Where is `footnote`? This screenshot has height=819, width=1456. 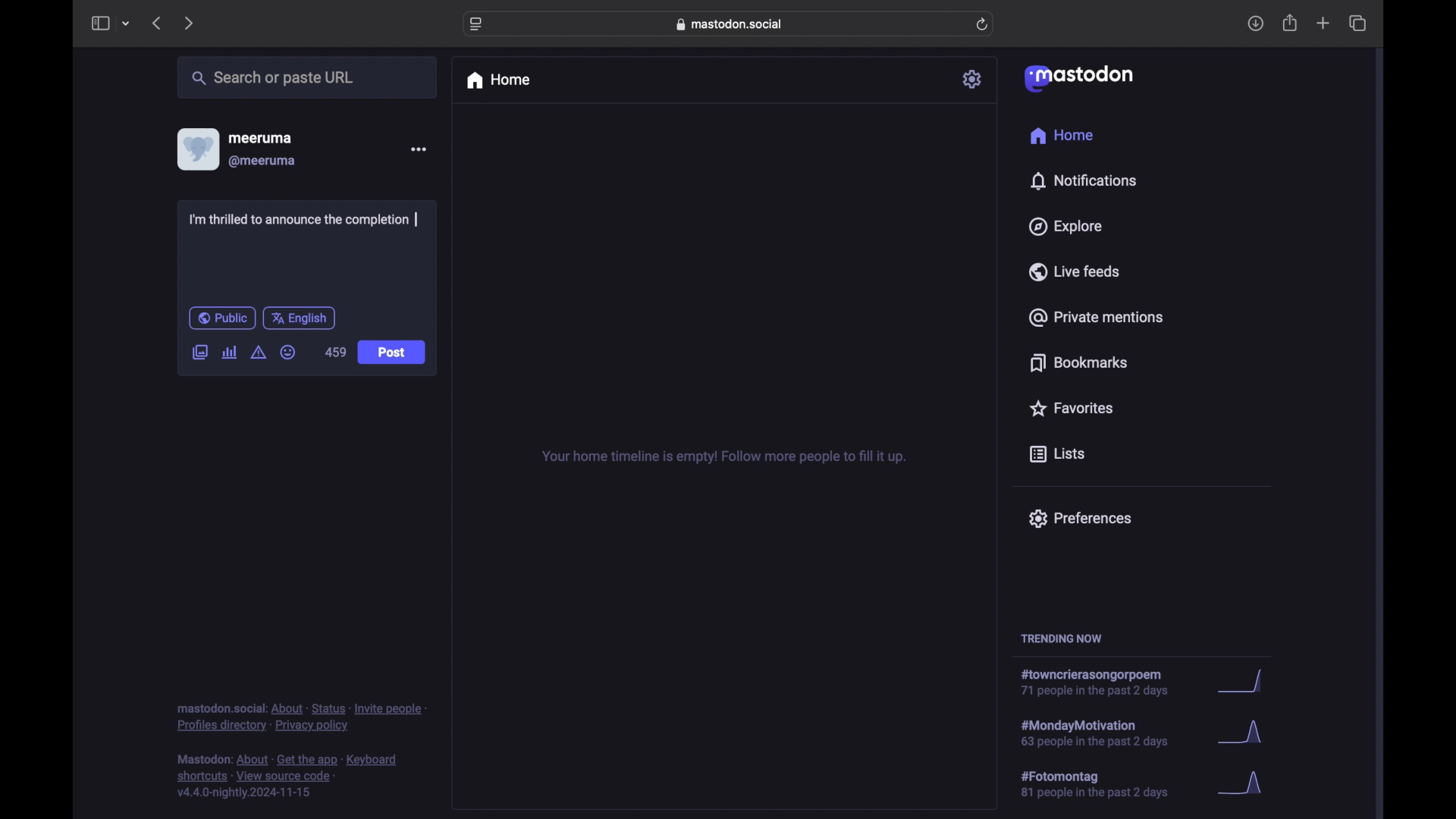
footnote is located at coordinates (301, 718).